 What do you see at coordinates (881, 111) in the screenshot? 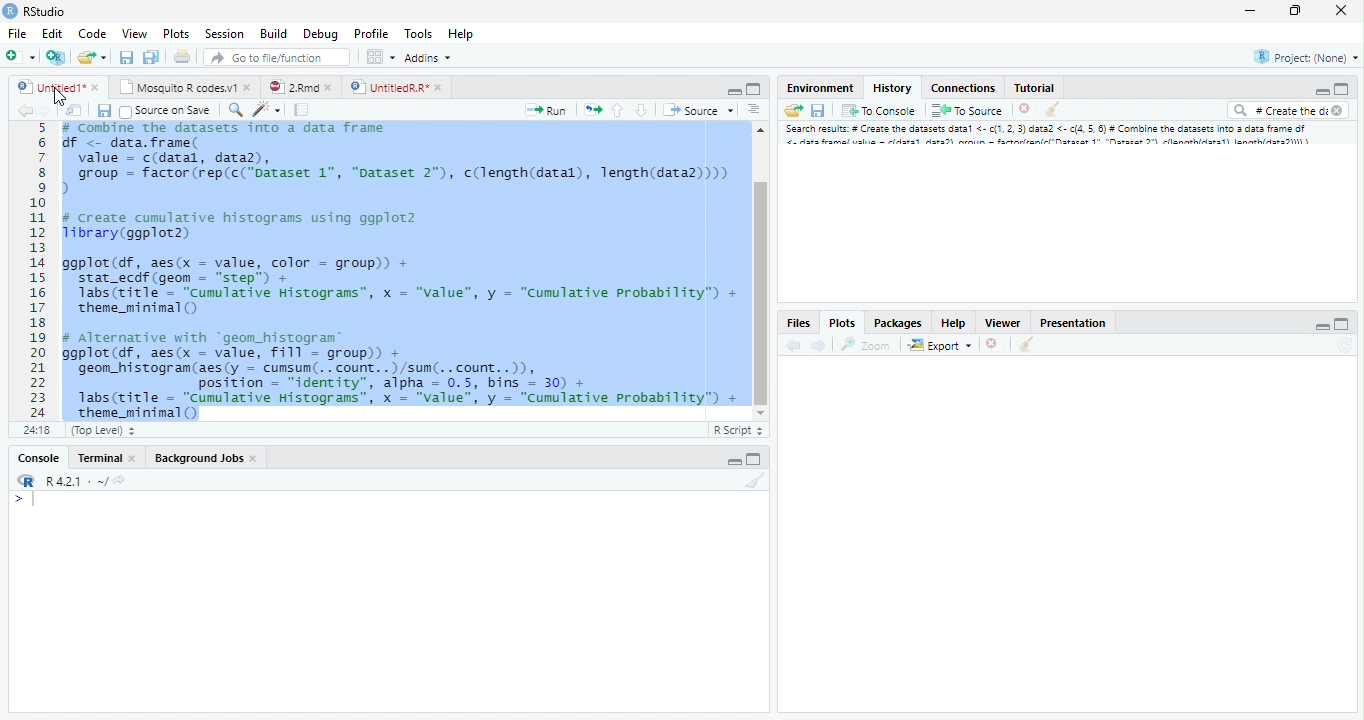
I see `To console` at bounding box center [881, 111].